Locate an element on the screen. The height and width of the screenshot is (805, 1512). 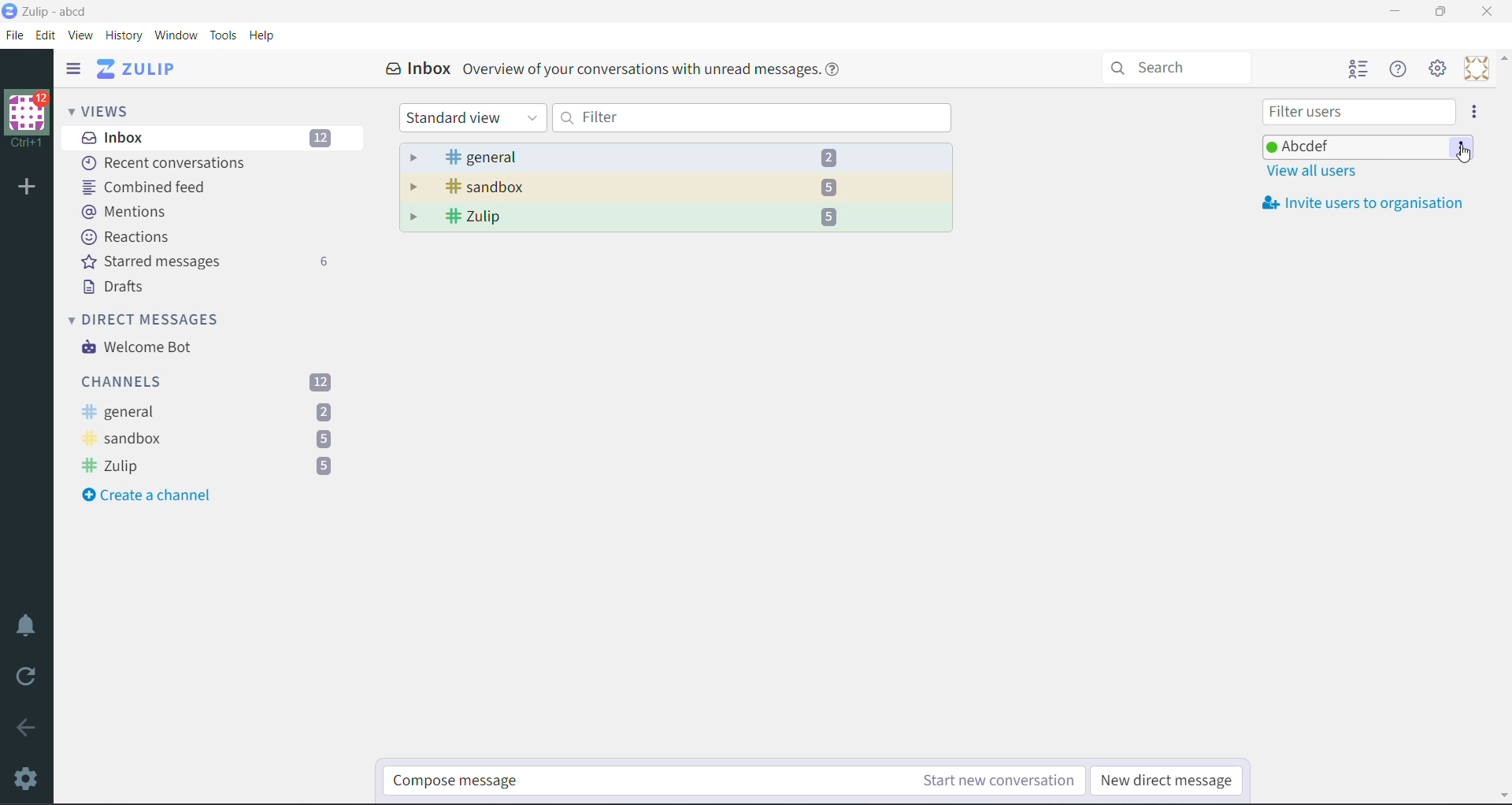
sandbox - 5 is located at coordinates (676, 187).